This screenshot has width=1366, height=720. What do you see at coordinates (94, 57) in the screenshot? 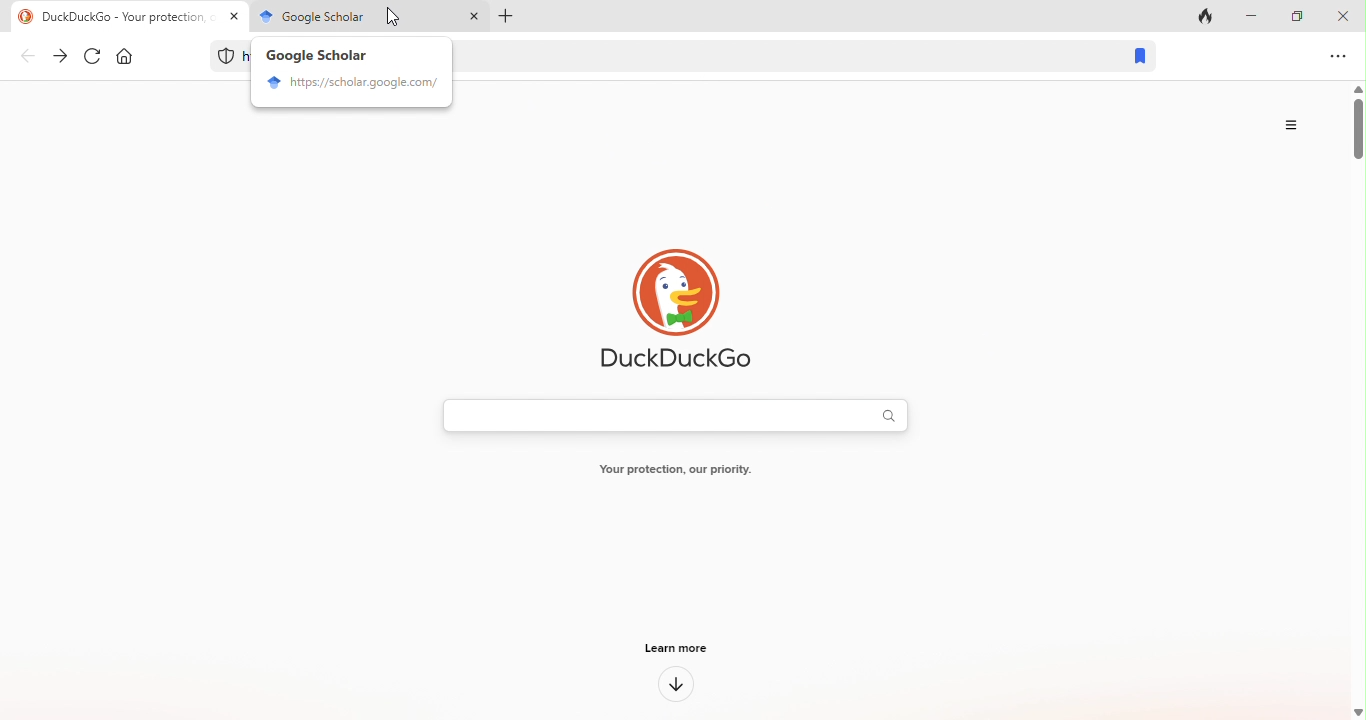
I see `refresh` at bounding box center [94, 57].